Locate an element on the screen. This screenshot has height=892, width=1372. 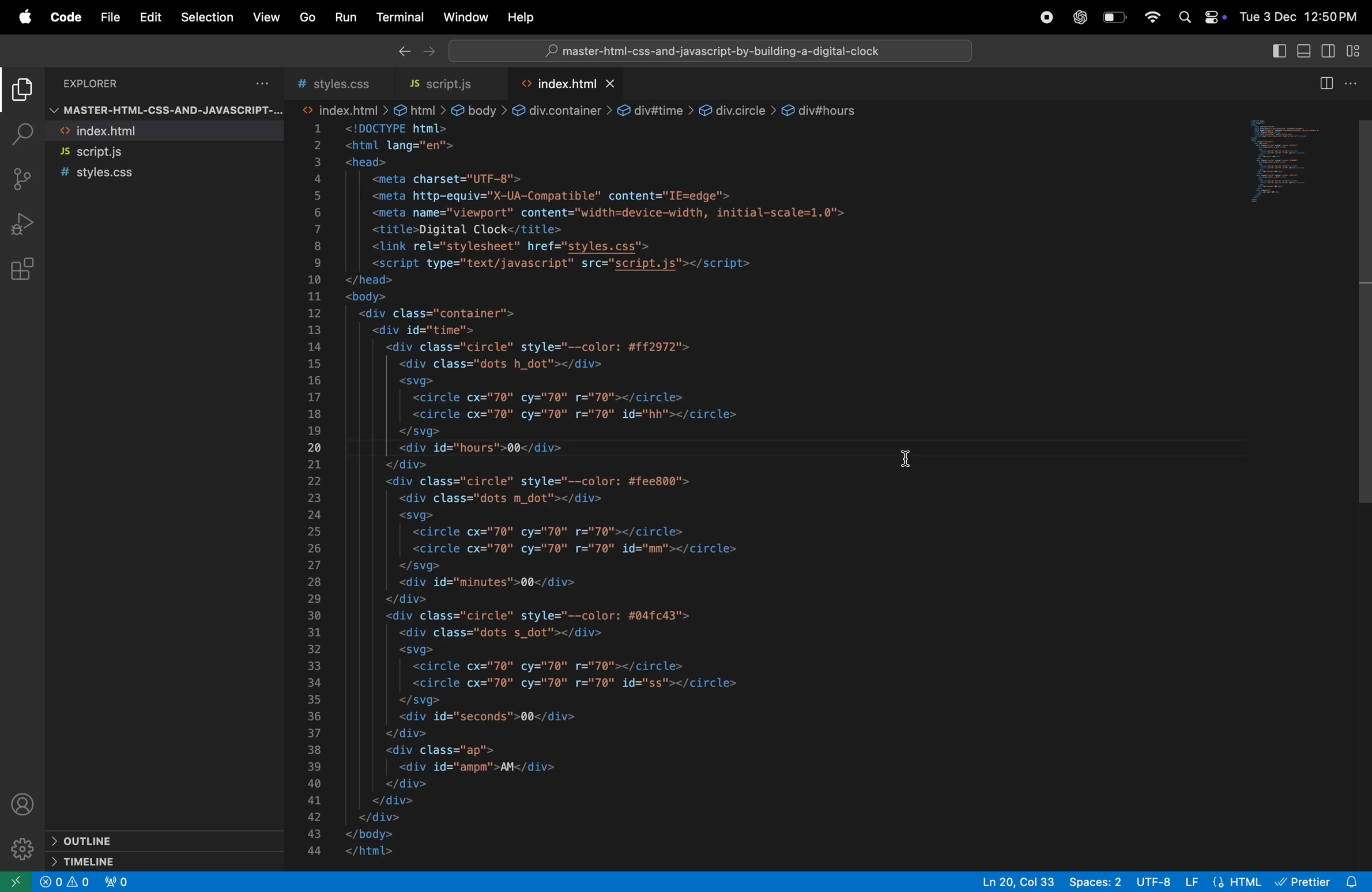
master file is located at coordinates (163, 109).